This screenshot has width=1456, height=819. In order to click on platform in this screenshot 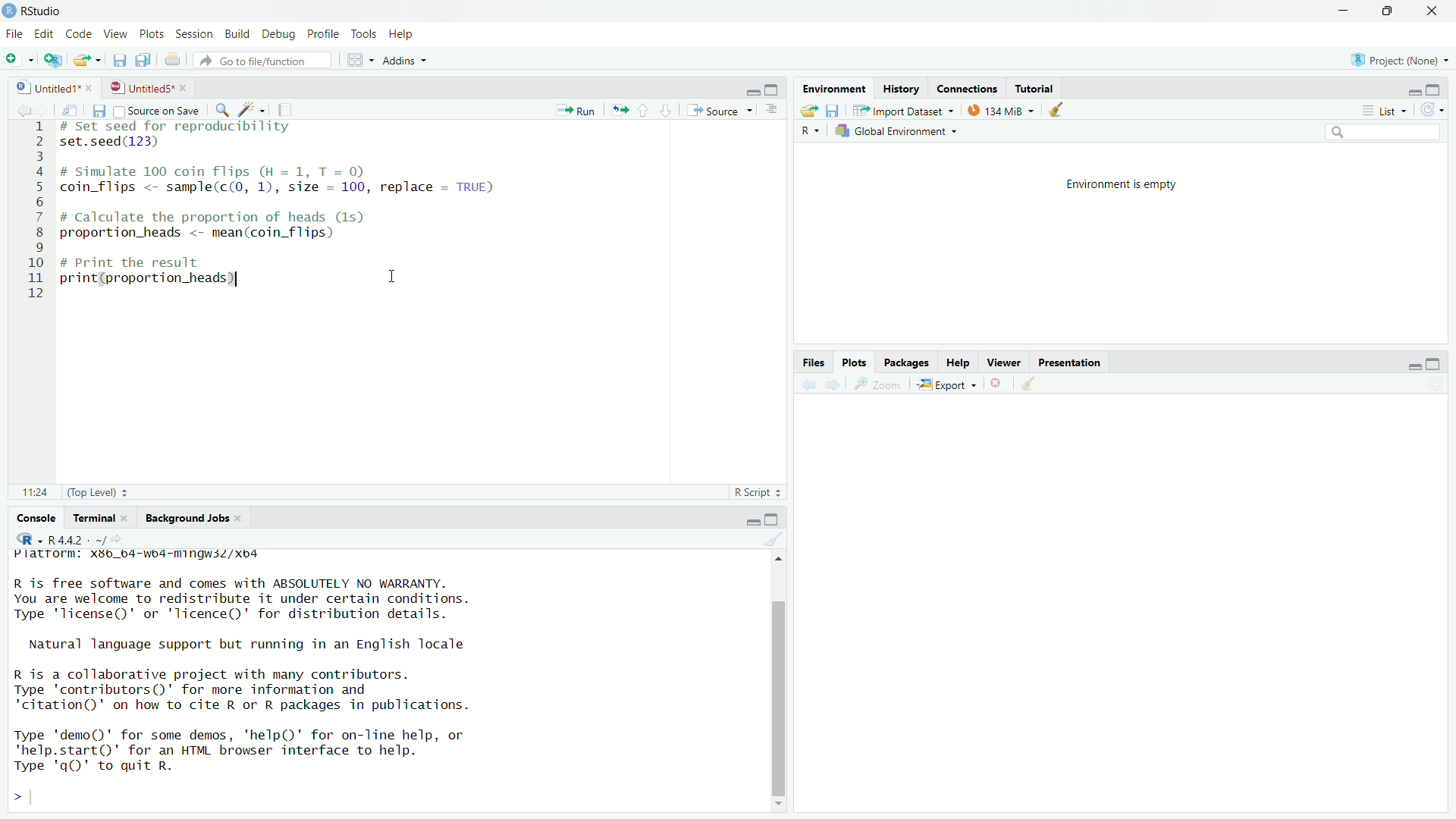, I will do `click(164, 557)`.